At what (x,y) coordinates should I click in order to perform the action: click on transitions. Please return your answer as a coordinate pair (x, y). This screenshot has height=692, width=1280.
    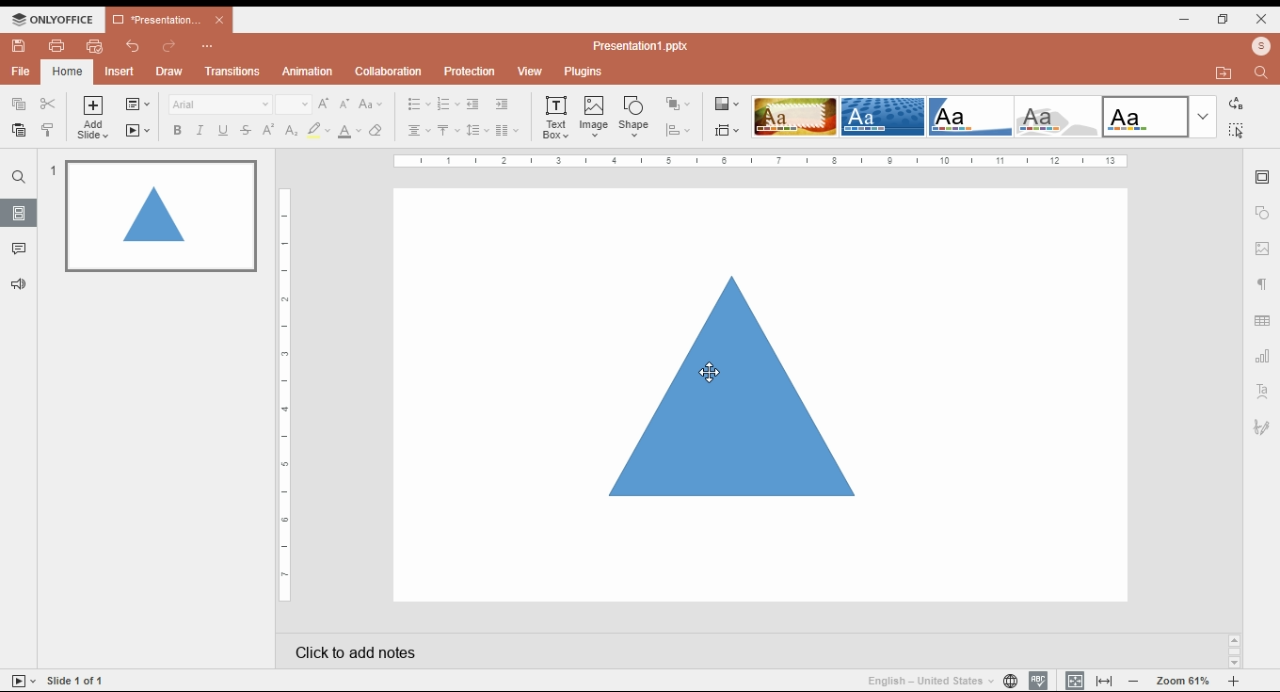
    Looking at the image, I should click on (233, 73).